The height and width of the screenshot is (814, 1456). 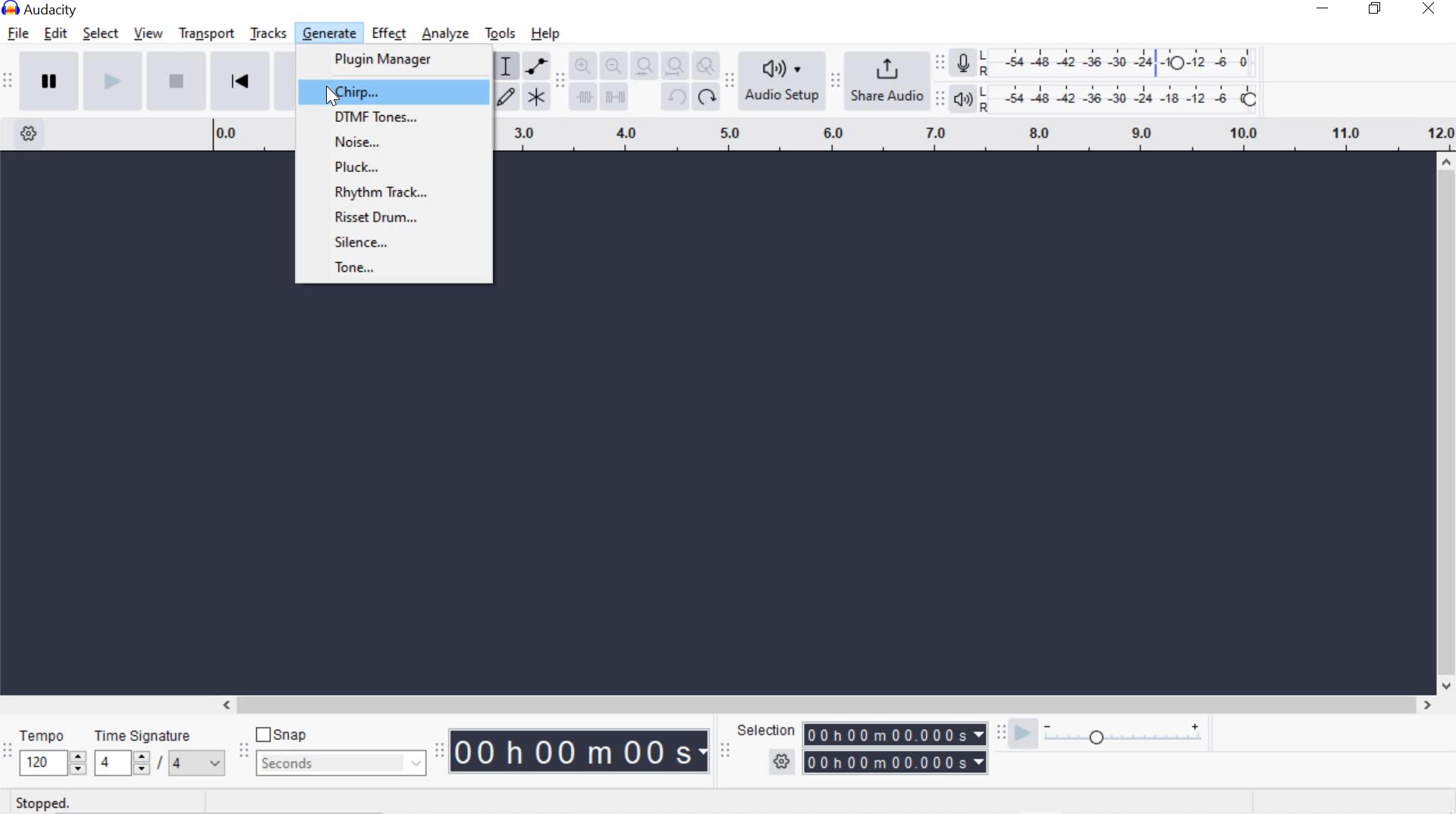 What do you see at coordinates (394, 119) in the screenshot?
I see `DTMF Tones` at bounding box center [394, 119].